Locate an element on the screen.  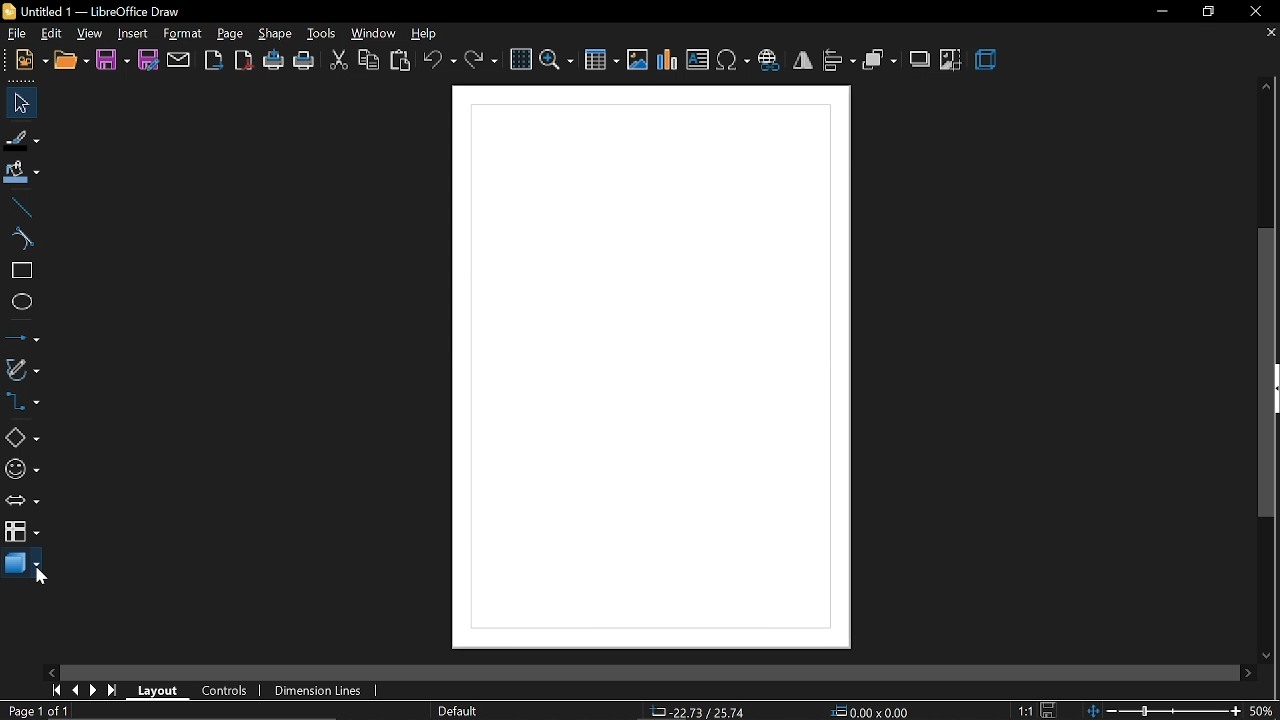
help is located at coordinates (426, 33).